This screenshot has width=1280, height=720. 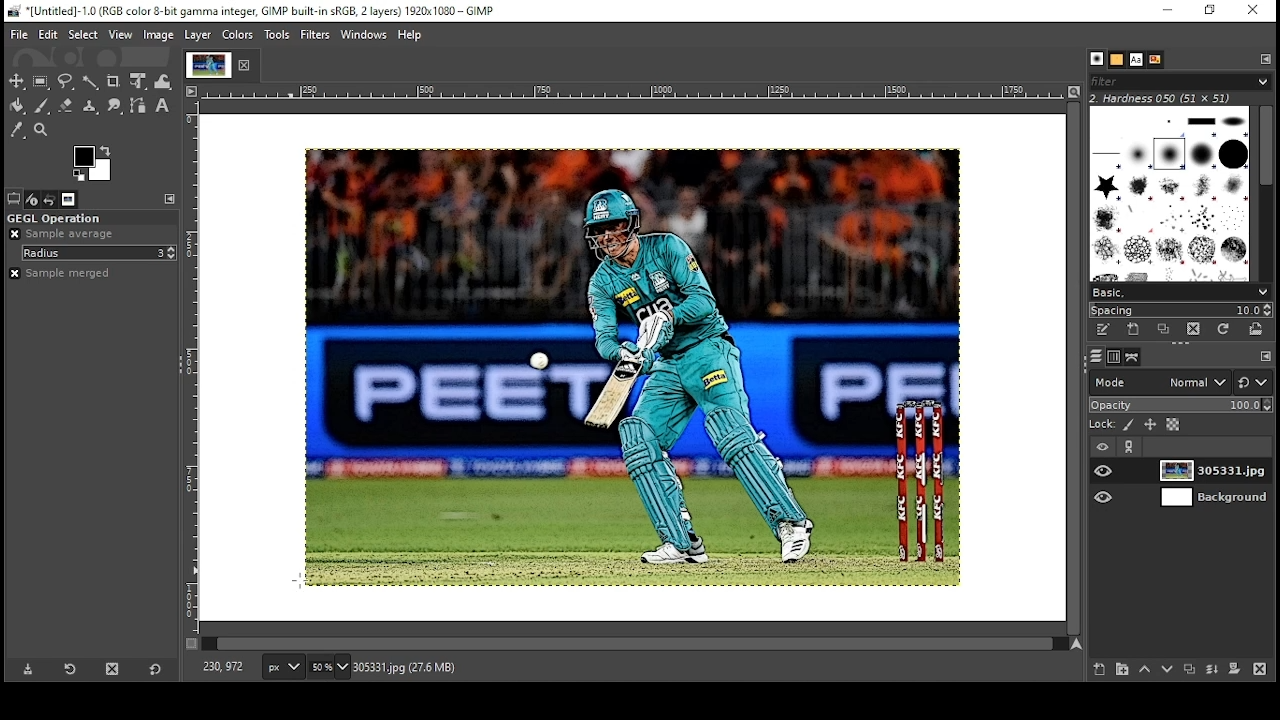 What do you see at coordinates (71, 670) in the screenshot?
I see `refresh tool preset` at bounding box center [71, 670].